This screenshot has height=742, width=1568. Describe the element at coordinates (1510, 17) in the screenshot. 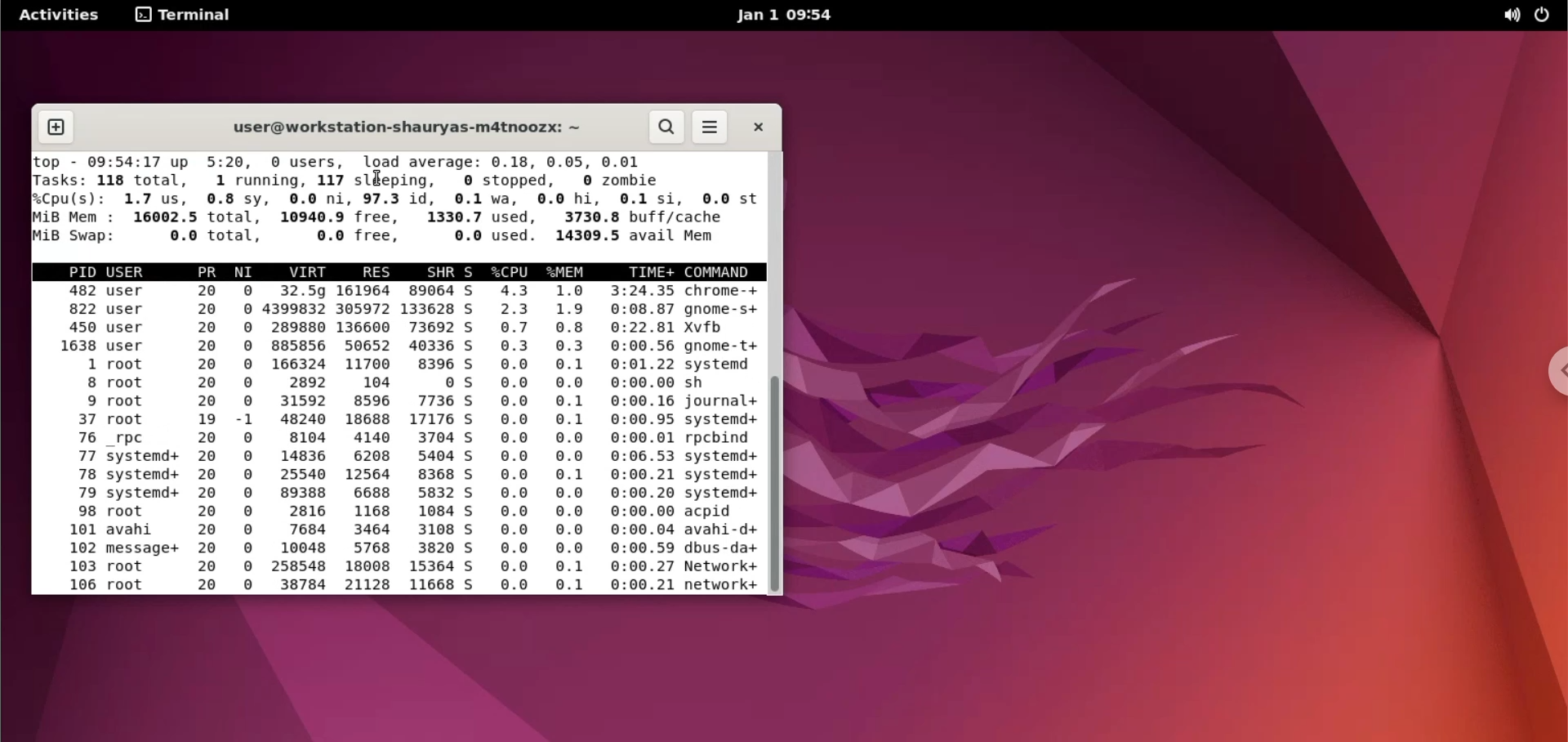

I see `sound options` at that location.